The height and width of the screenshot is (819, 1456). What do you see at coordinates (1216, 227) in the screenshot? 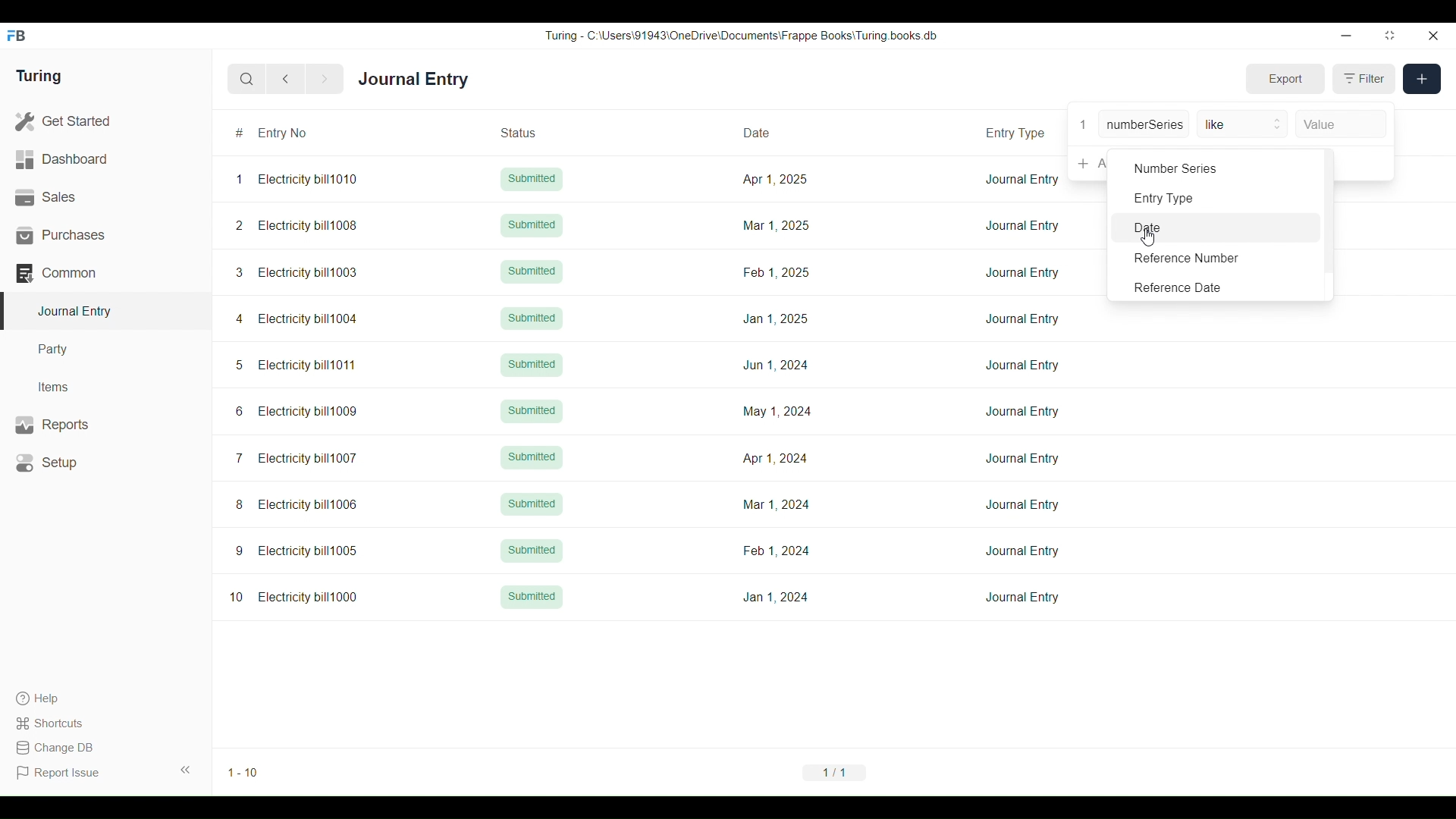
I see `Date` at bounding box center [1216, 227].